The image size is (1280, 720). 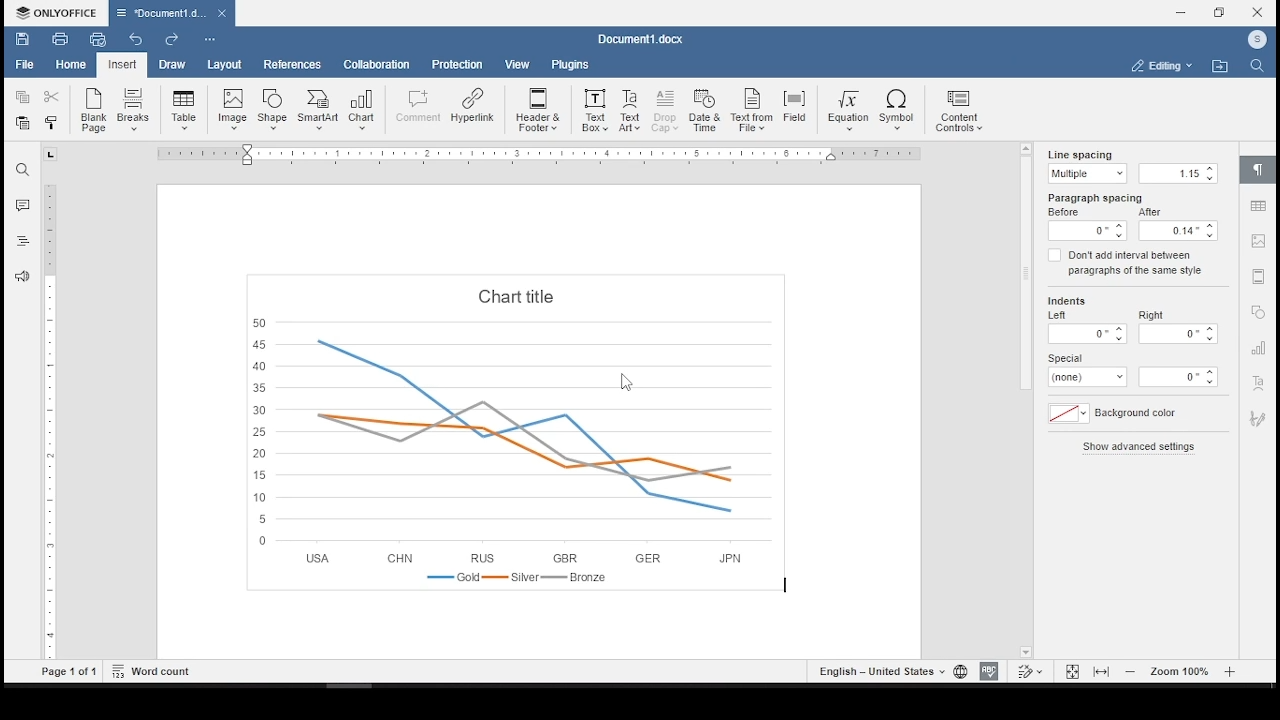 I want to click on undo, so click(x=136, y=38).